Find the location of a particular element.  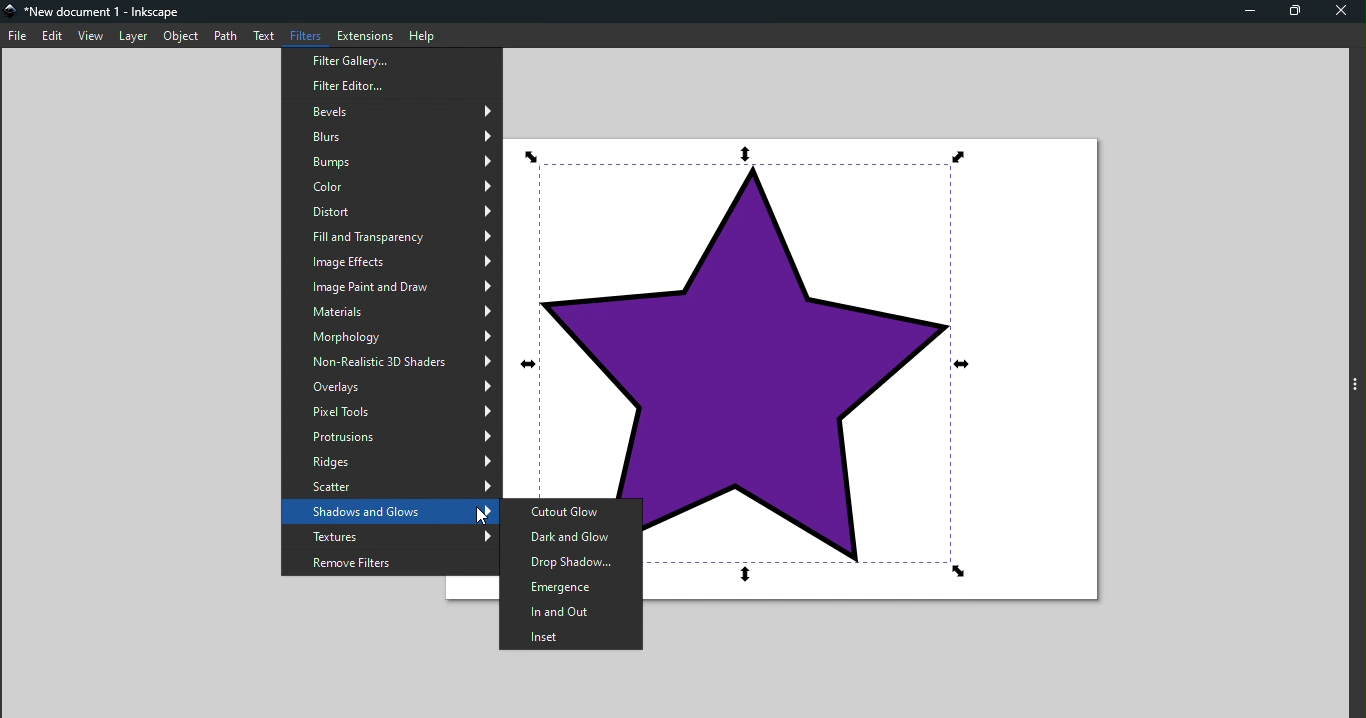

Text is located at coordinates (264, 37).